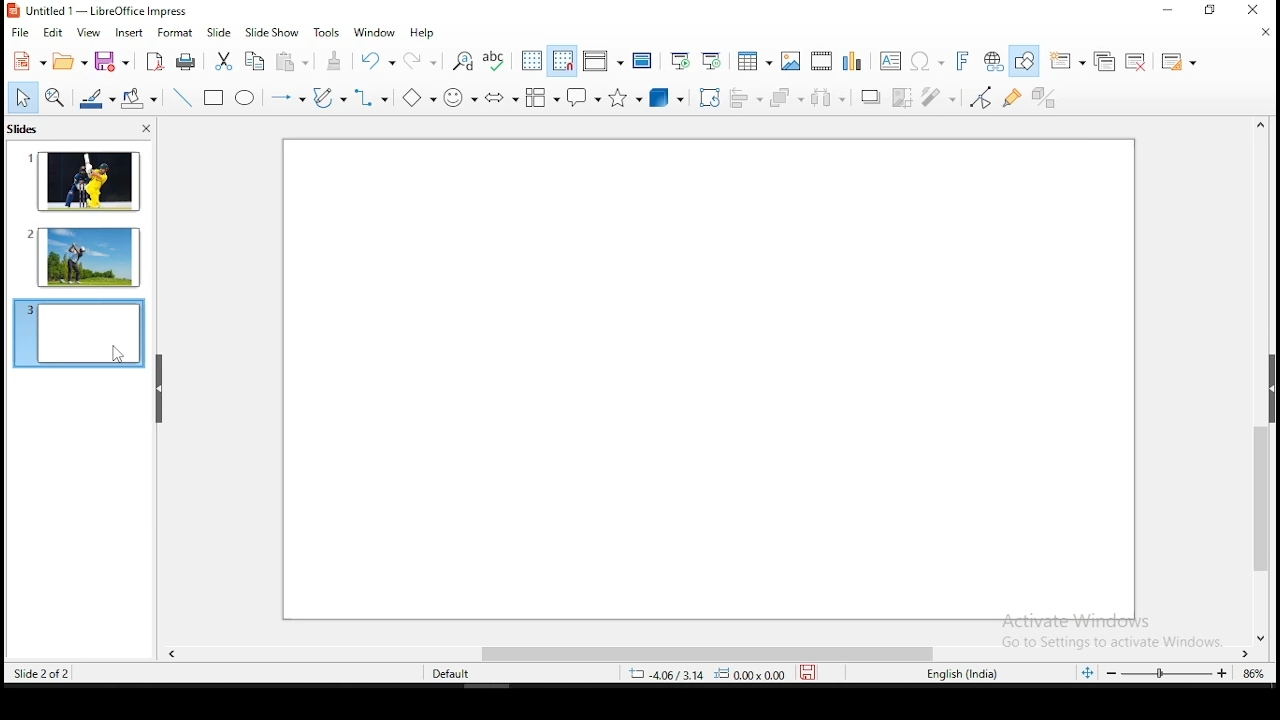 The height and width of the screenshot is (720, 1280). What do you see at coordinates (672, 674) in the screenshot?
I see `4.06` at bounding box center [672, 674].